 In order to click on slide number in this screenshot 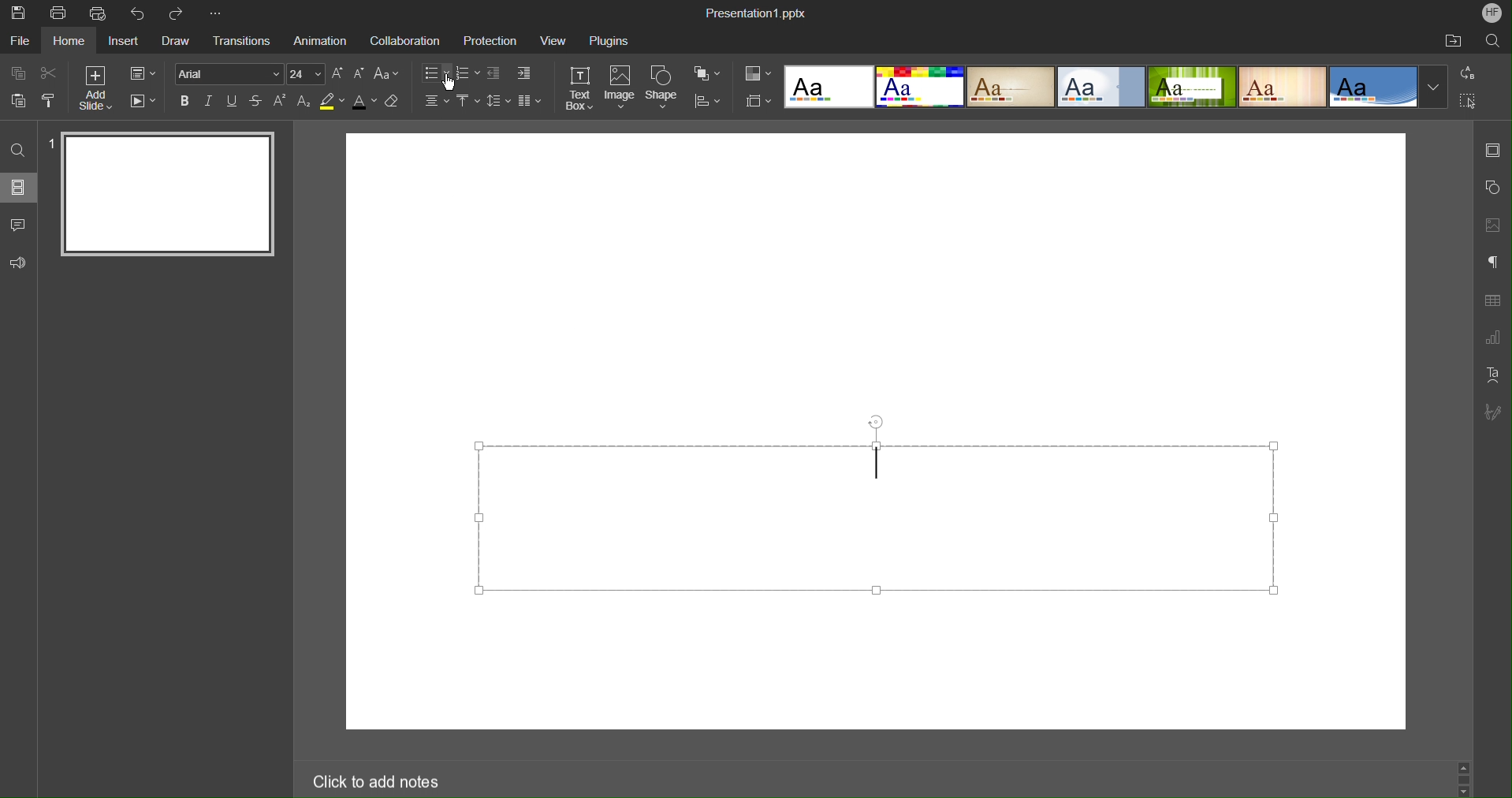, I will do `click(50, 144)`.